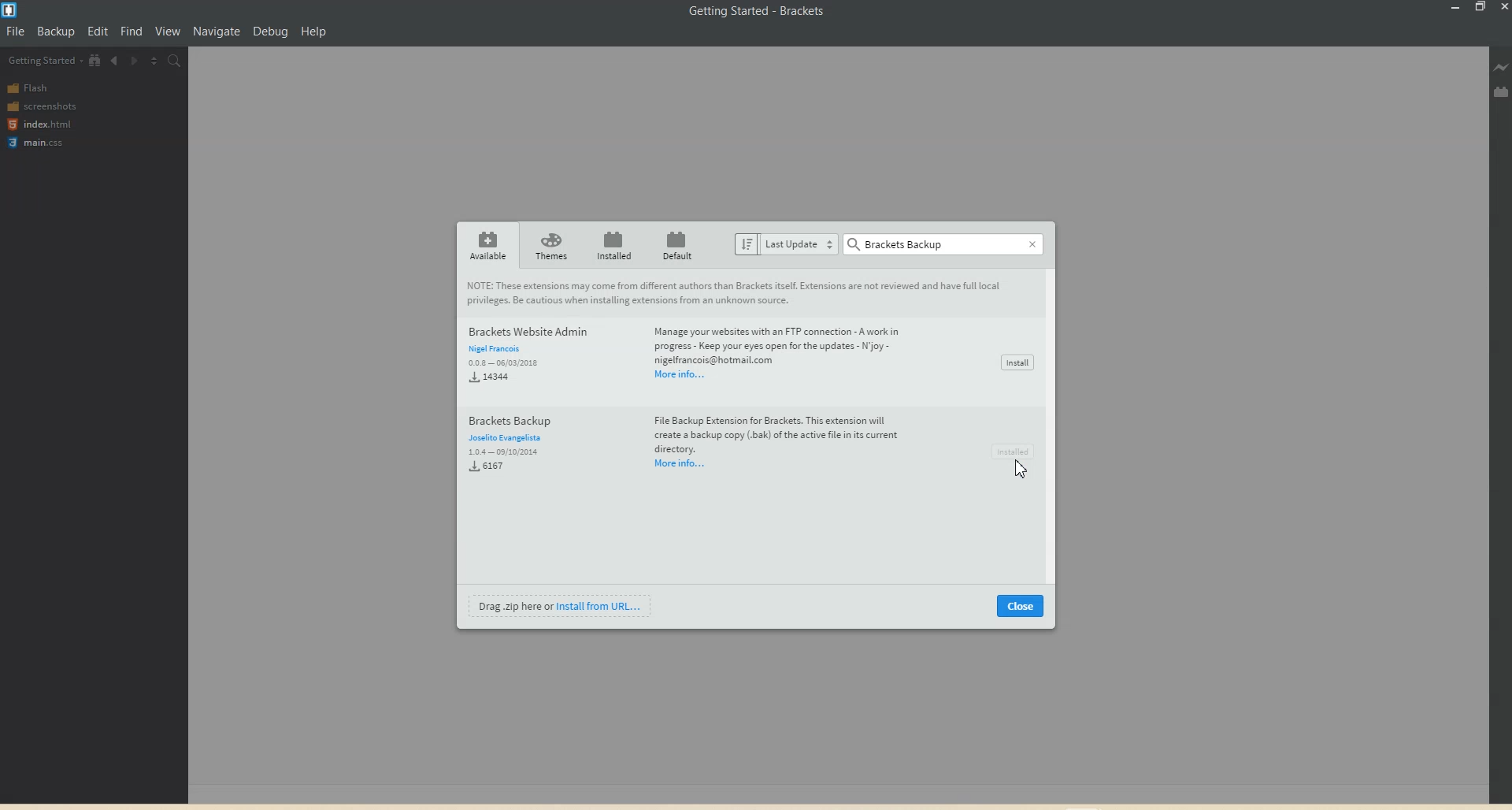 The image size is (1512, 810). Describe the element at coordinates (740, 294) in the screenshot. I see `These extensions may come from different authors than Brackets itself. Extensions are not reviewed and have full local privileges. Be cautious when installing extensions from an unknown source.` at that location.